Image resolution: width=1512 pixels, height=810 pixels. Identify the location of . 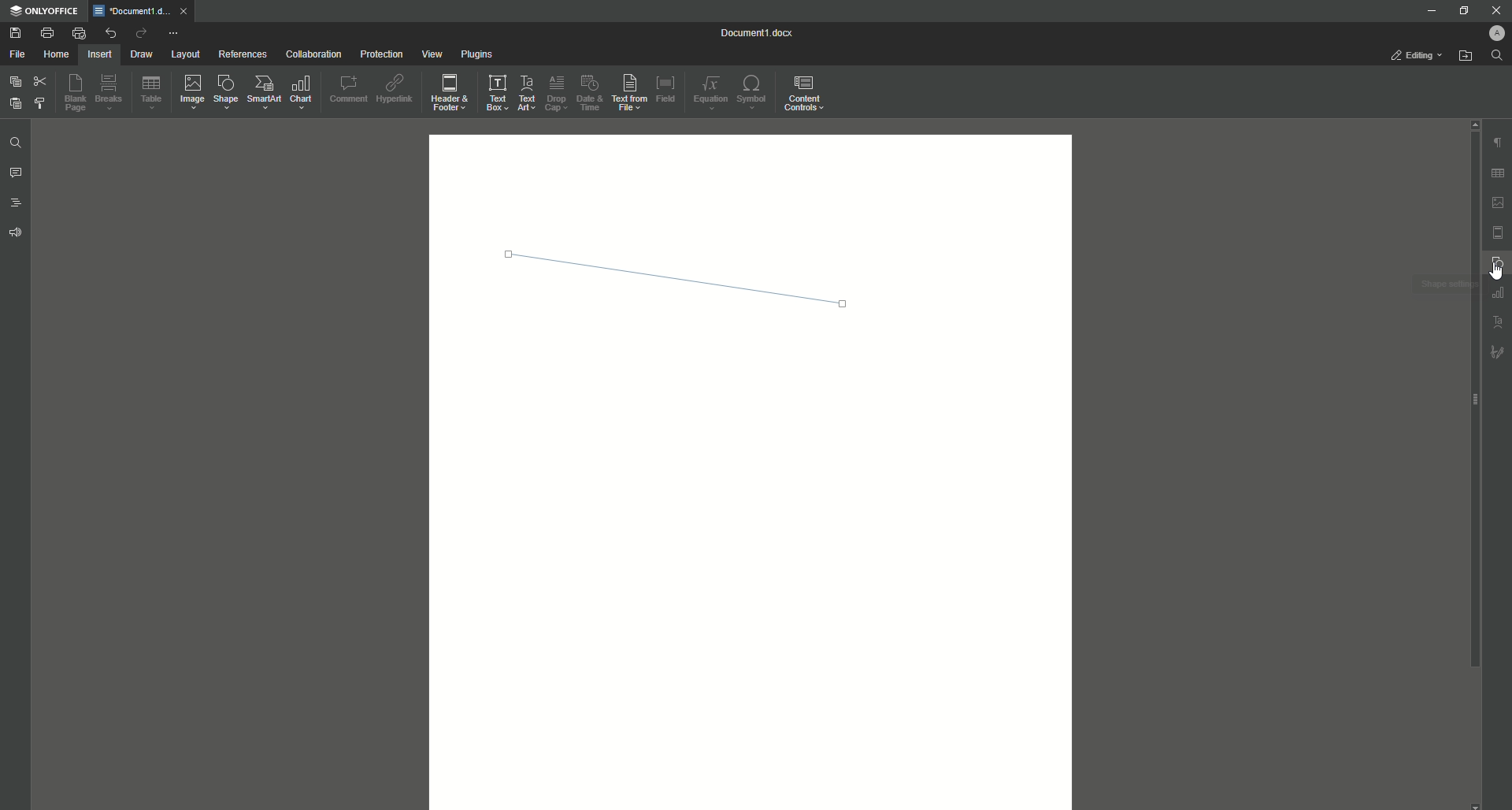
(48, 31).